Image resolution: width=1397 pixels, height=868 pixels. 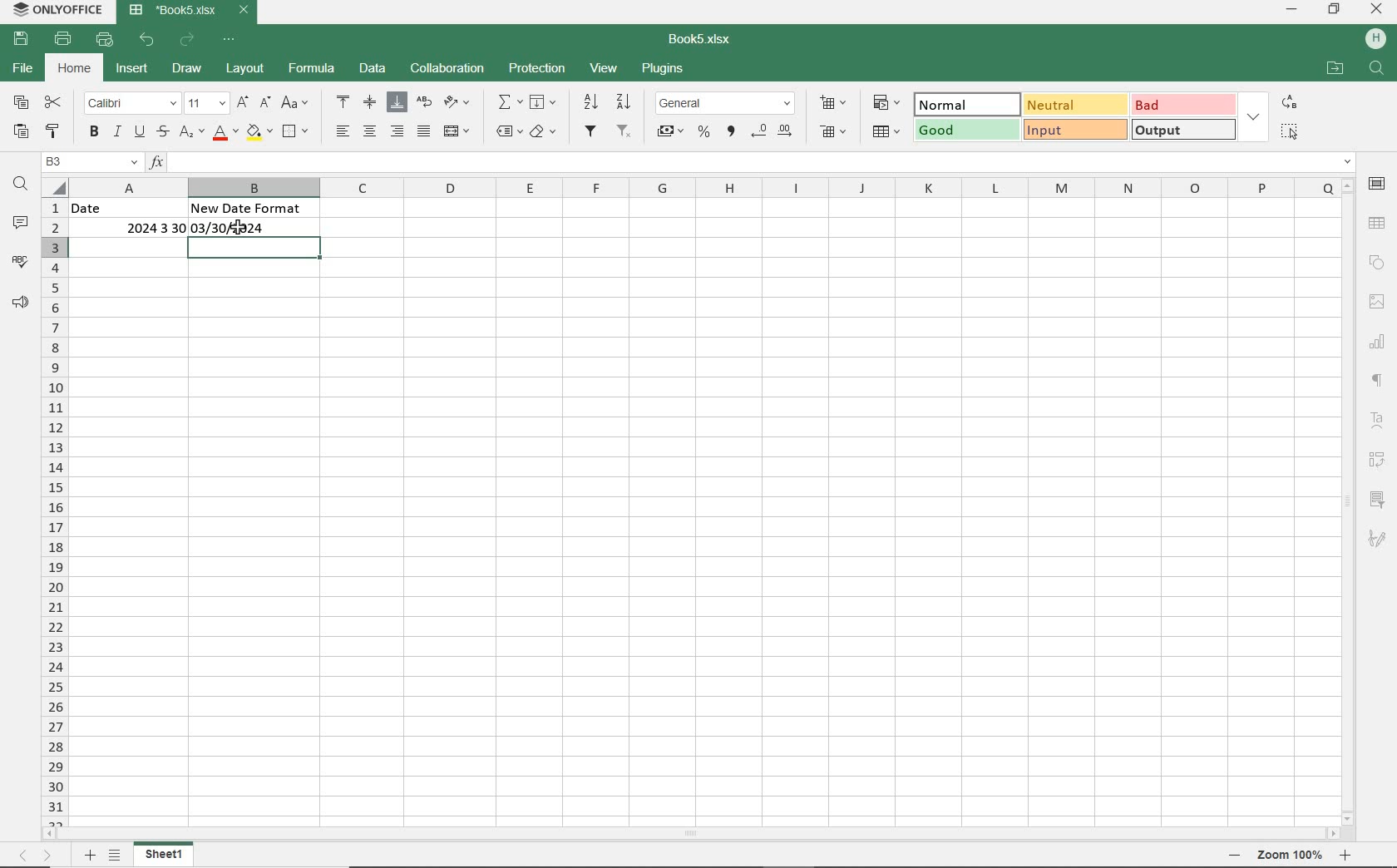 What do you see at coordinates (1334, 9) in the screenshot?
I see `RESTORE DOWN` at bounding box center [1334, 9].